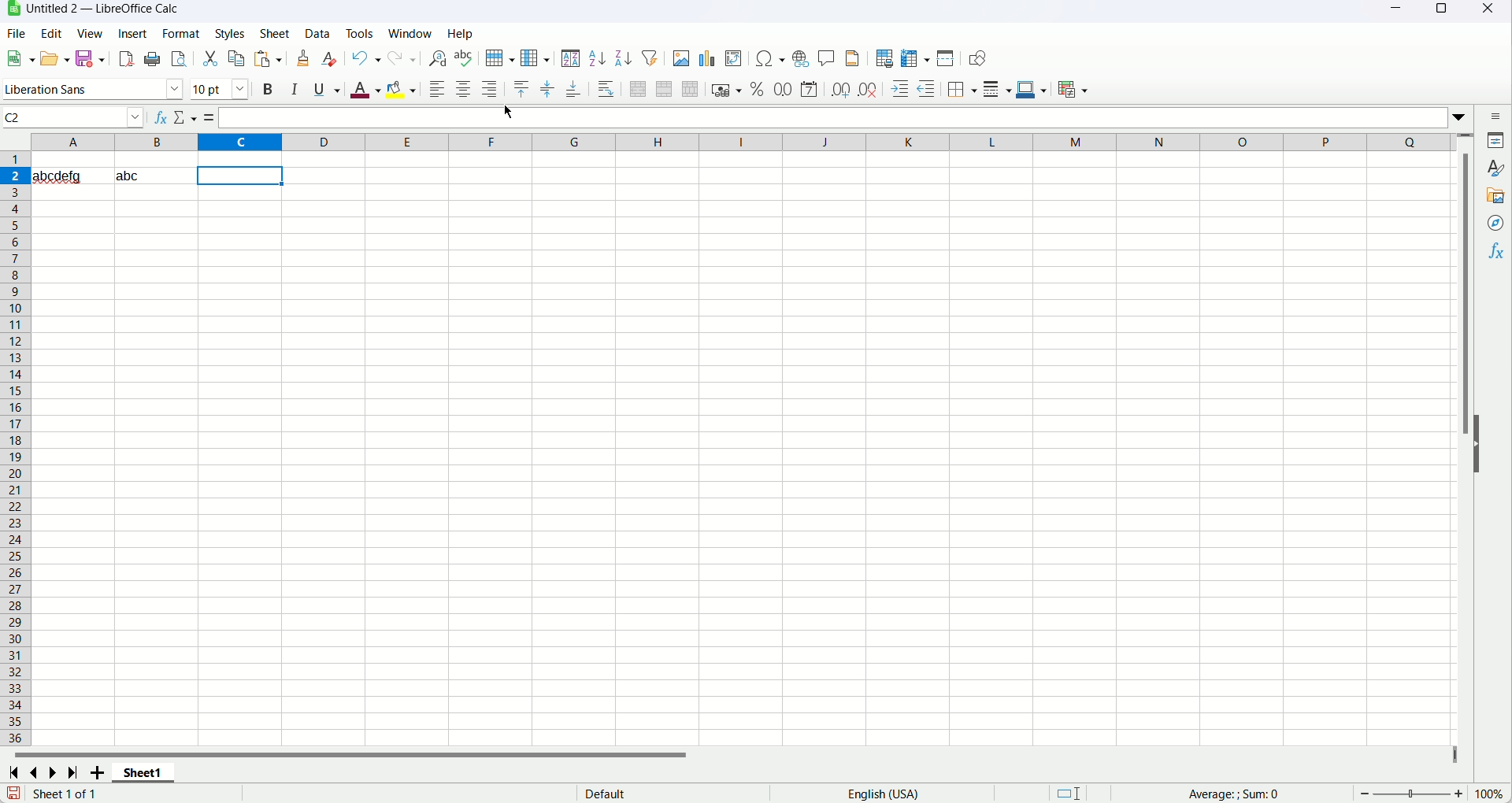 The width and height of the screenshot is (1512, 803). I want to click on insert, so click(137, 34).